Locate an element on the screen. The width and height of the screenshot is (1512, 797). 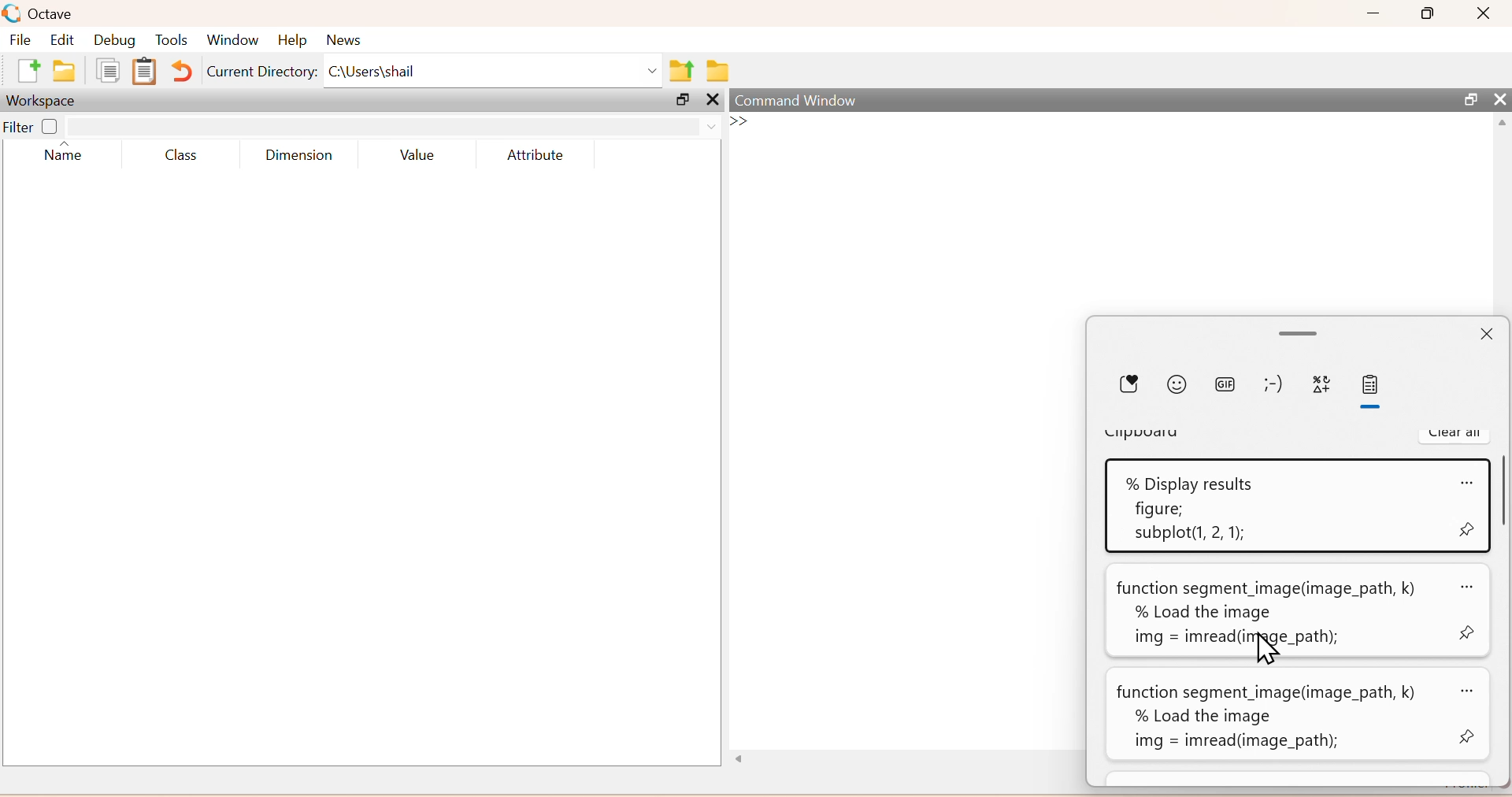
function segment_image(image_path, k) ao% Load the imageimg = imread(infege_path);  is located at coordinates (1297, 611).